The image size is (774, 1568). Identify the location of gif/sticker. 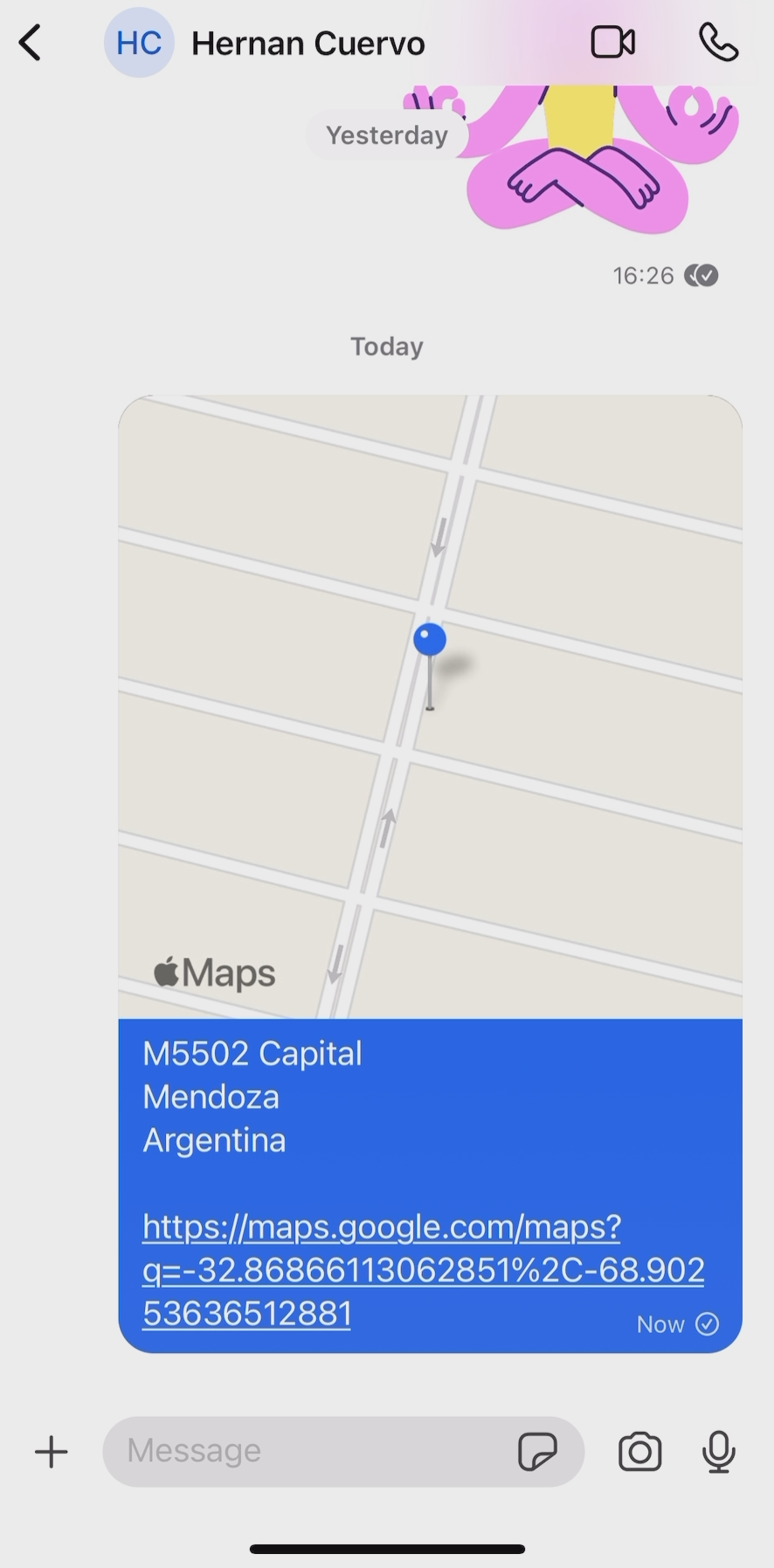
(539, 1456).